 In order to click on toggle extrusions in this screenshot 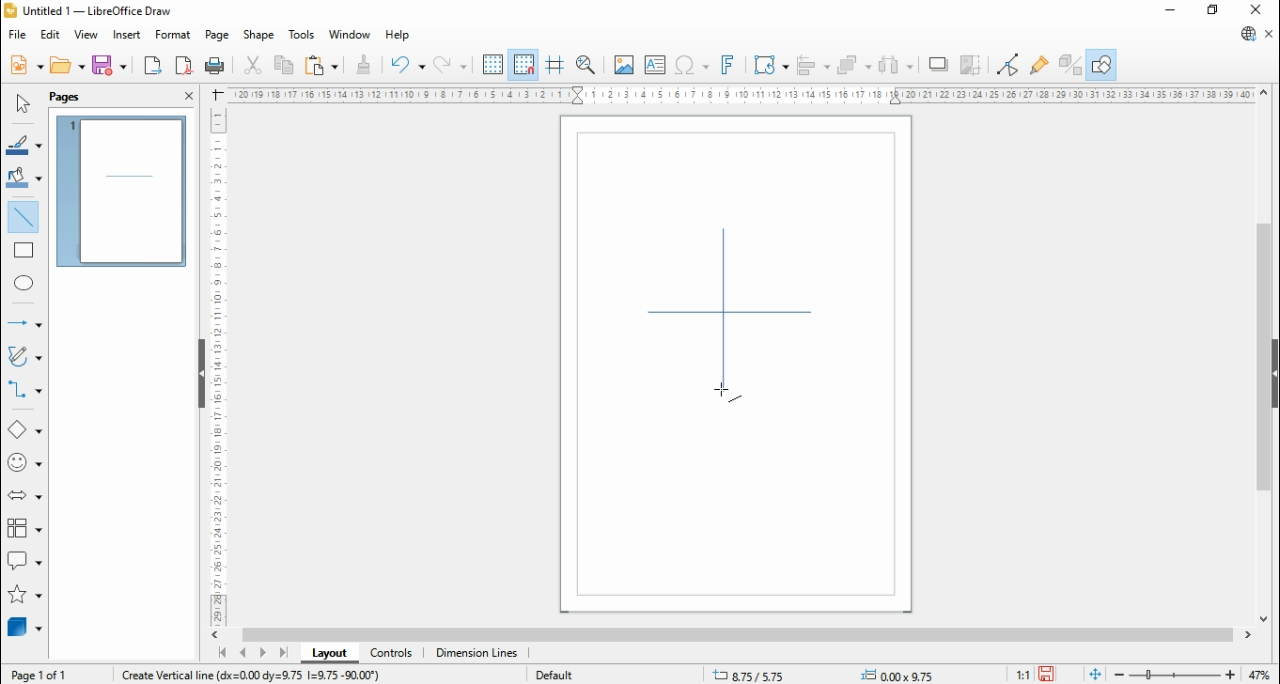, I will do `click(1069, 64)`.